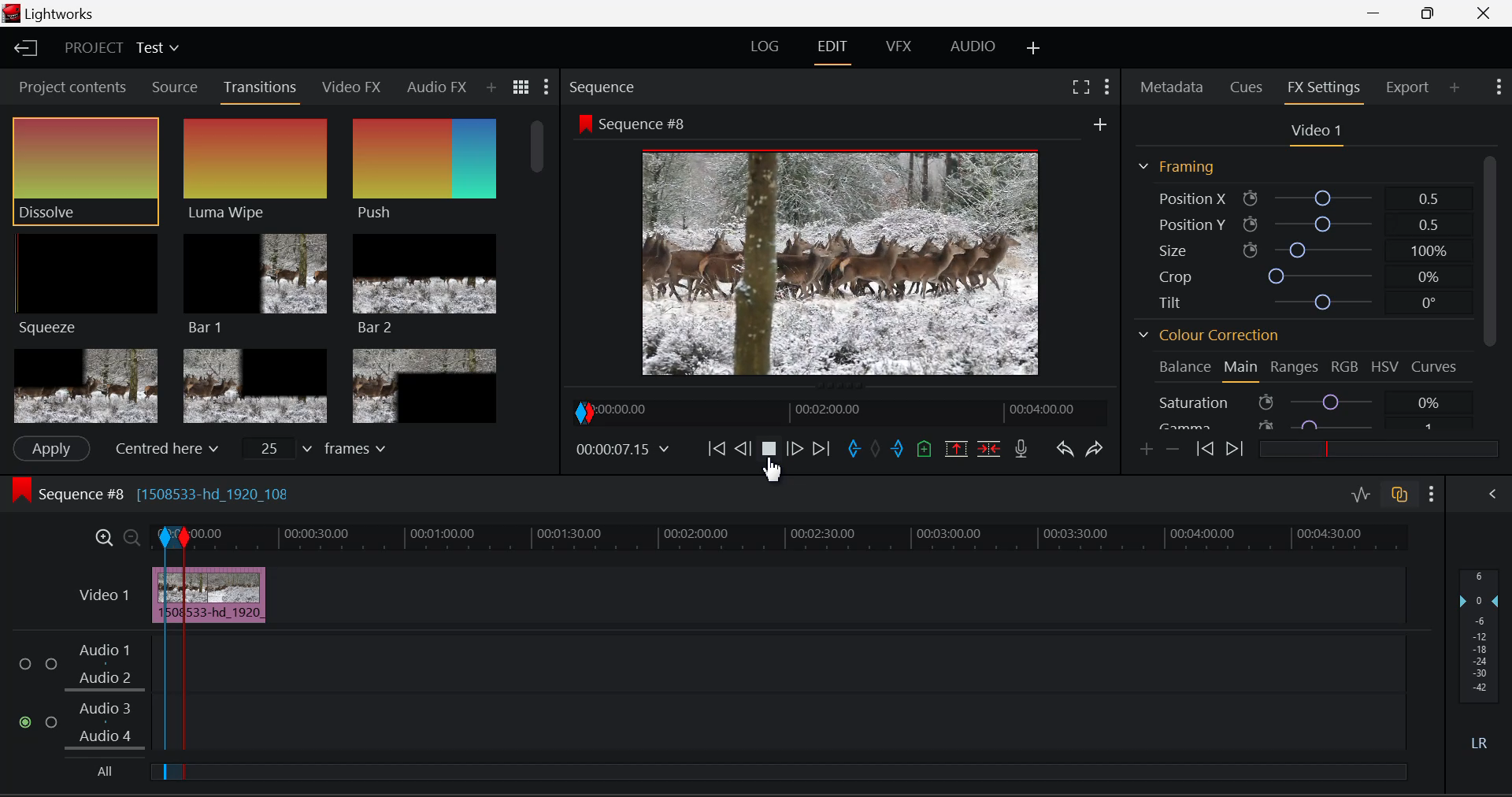 This screenshot has width=1512, height=797. What do you see at coordinates (353, 89) in the screenshot?
I see `Video FX` at bounding box center [353, 89].